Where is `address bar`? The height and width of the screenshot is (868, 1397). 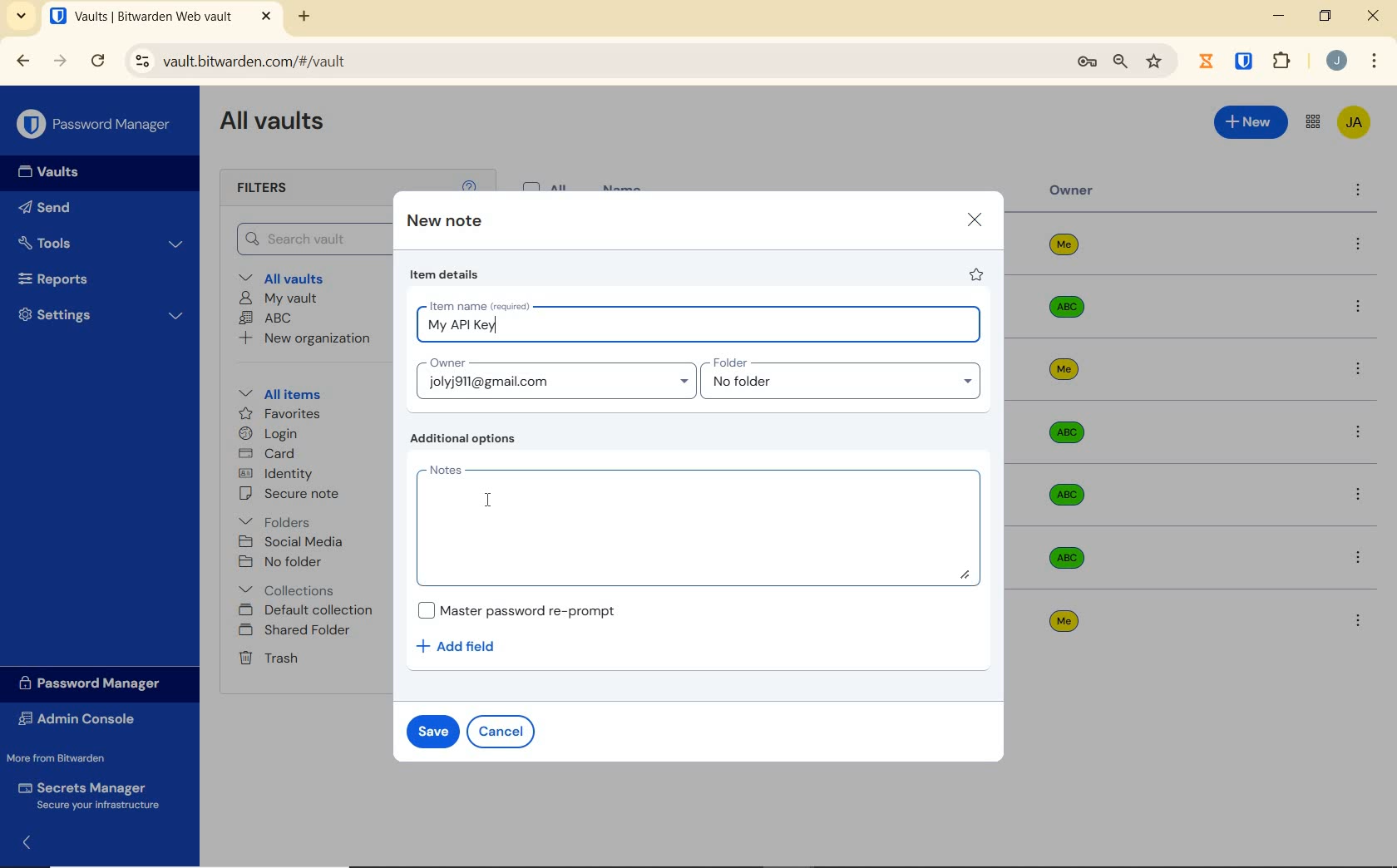
address bar is located at coordinates (589, 61).